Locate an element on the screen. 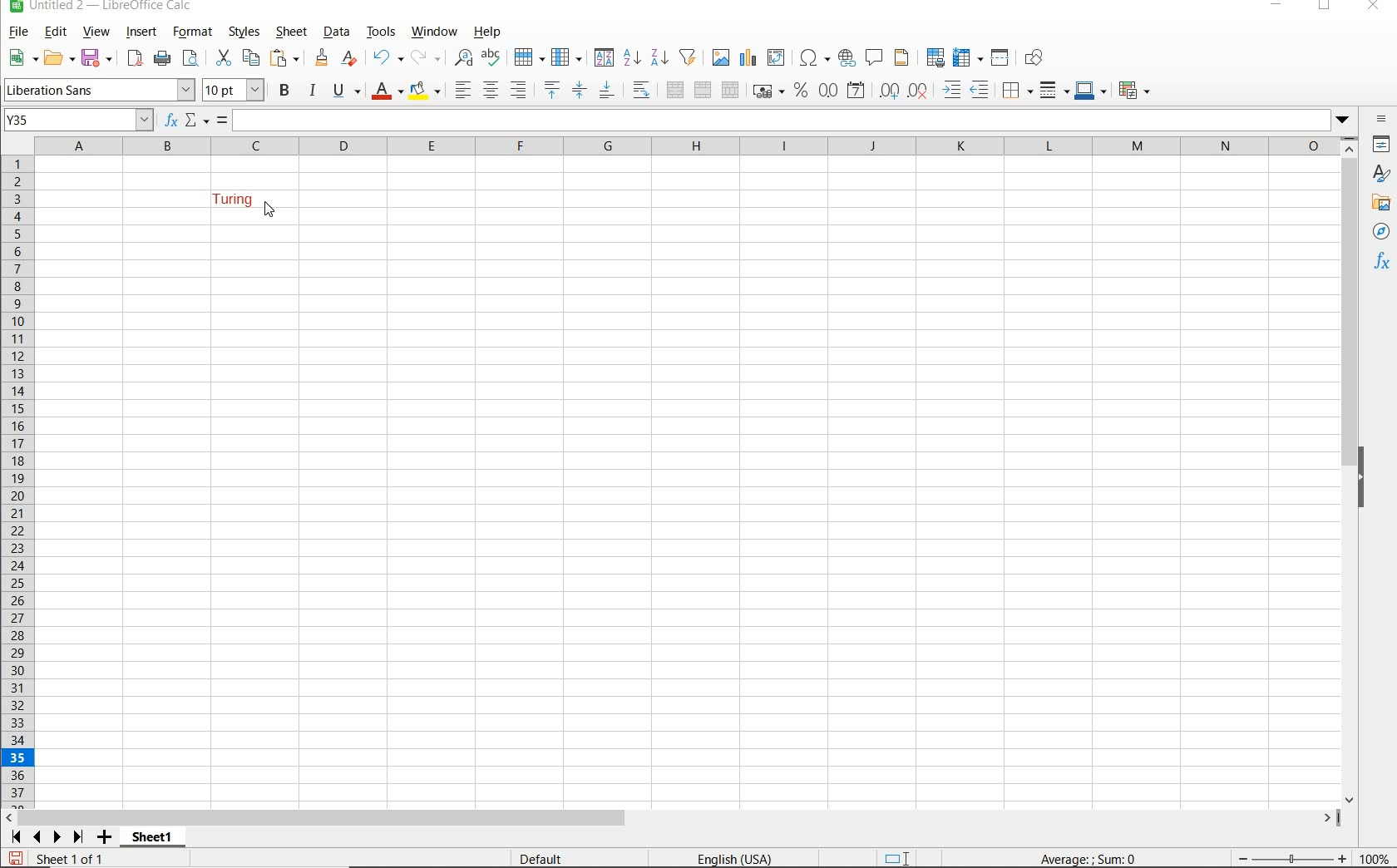 This screenshot has width=1397, height=868. OPEN is located at coordinates (57, 57).